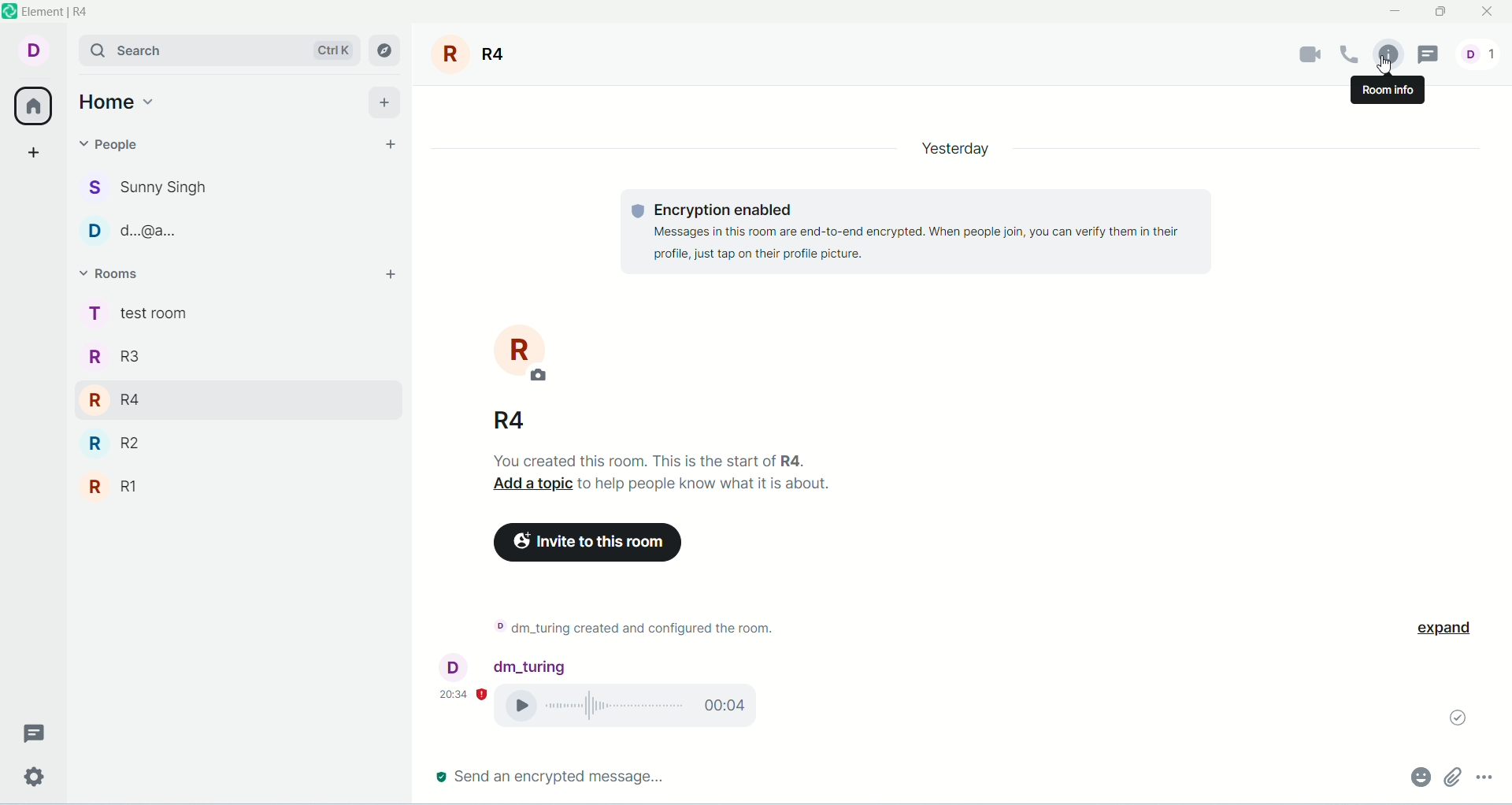 This screenshot has height=805, width=1512. I want to click on people, so click(1478, 54).